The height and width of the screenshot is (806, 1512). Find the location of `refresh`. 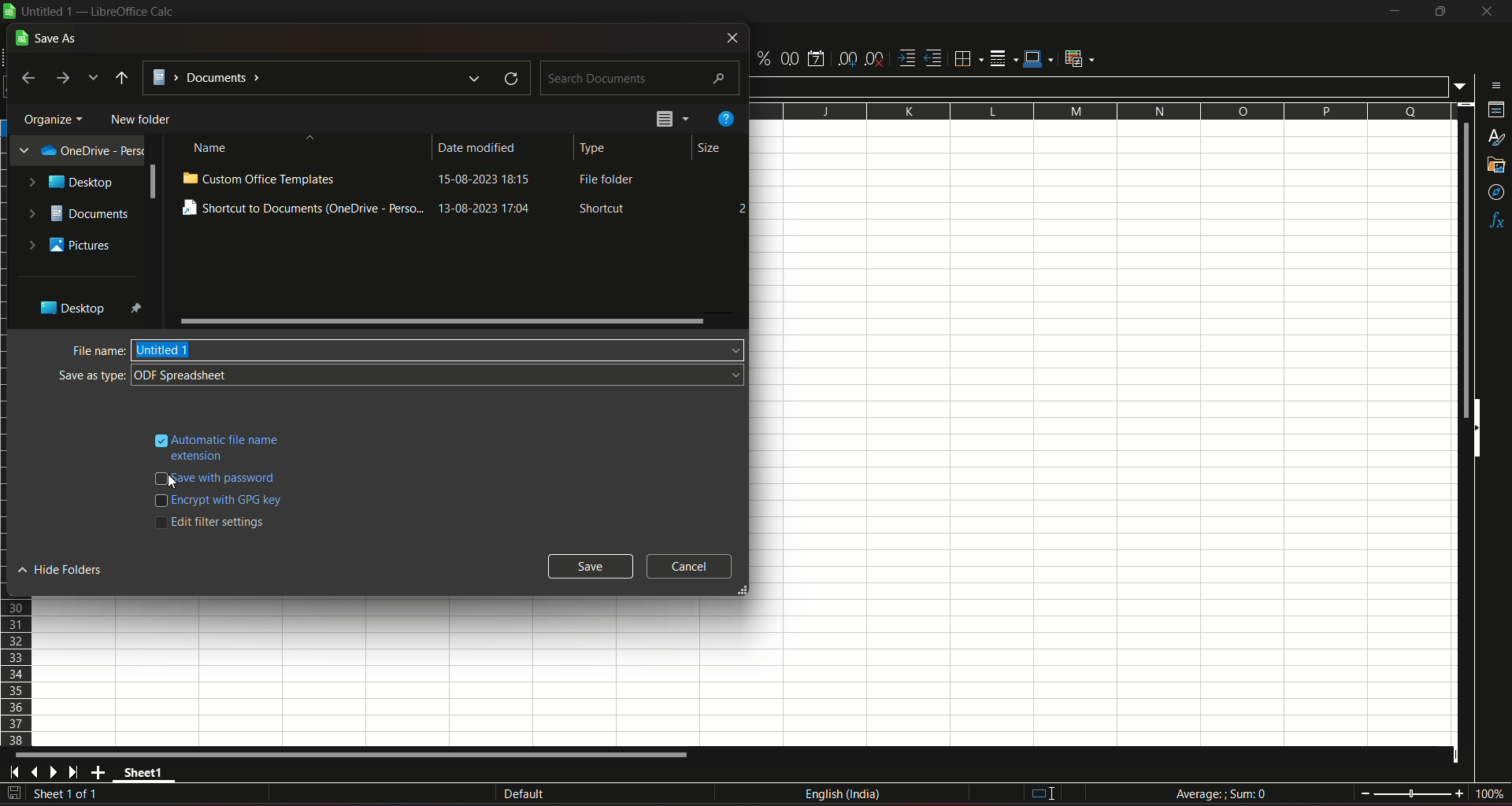

refresh is located at coordinates (507, 78).